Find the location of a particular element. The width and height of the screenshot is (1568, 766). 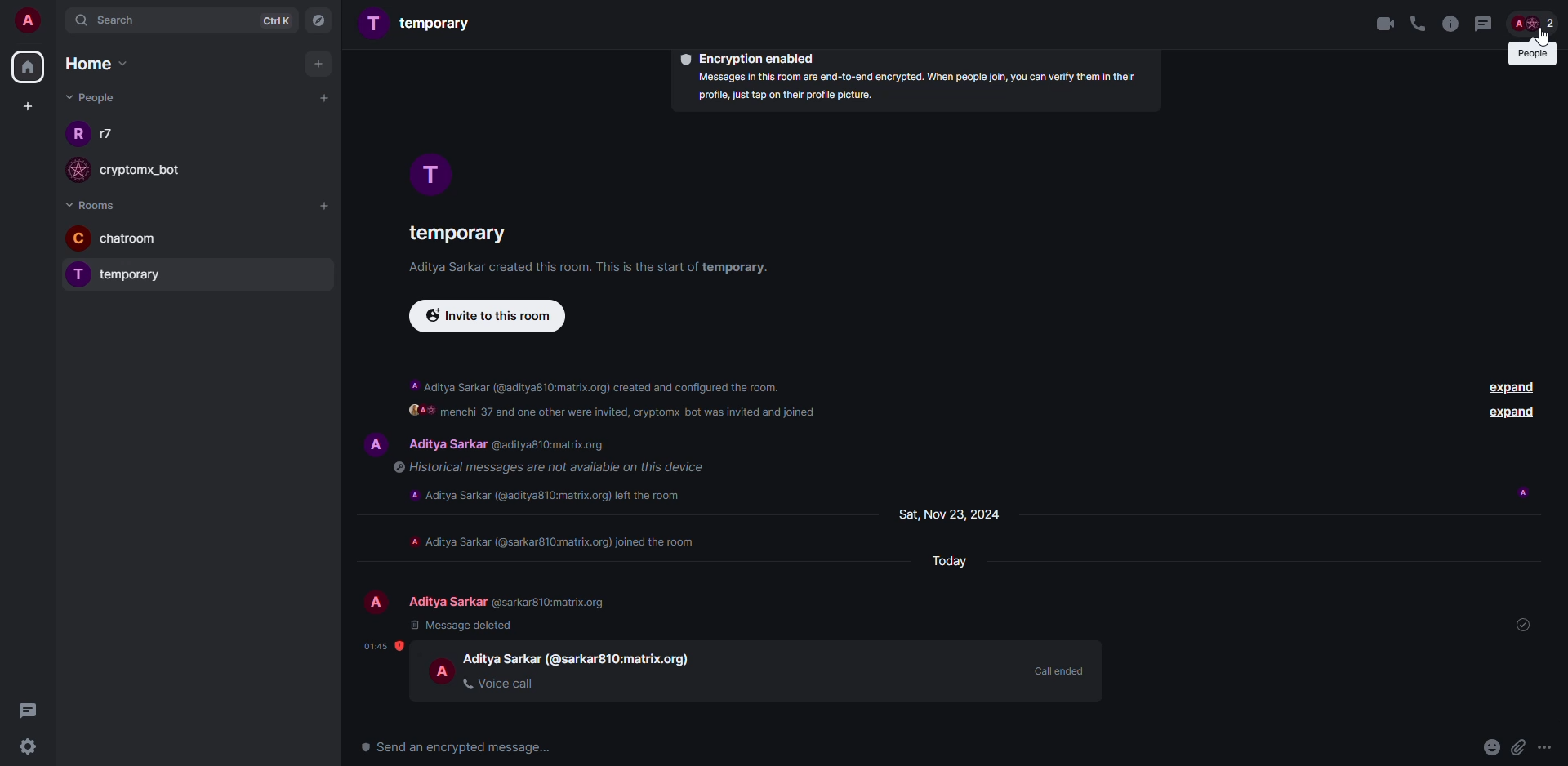

add is located at coordinates (326, 208).